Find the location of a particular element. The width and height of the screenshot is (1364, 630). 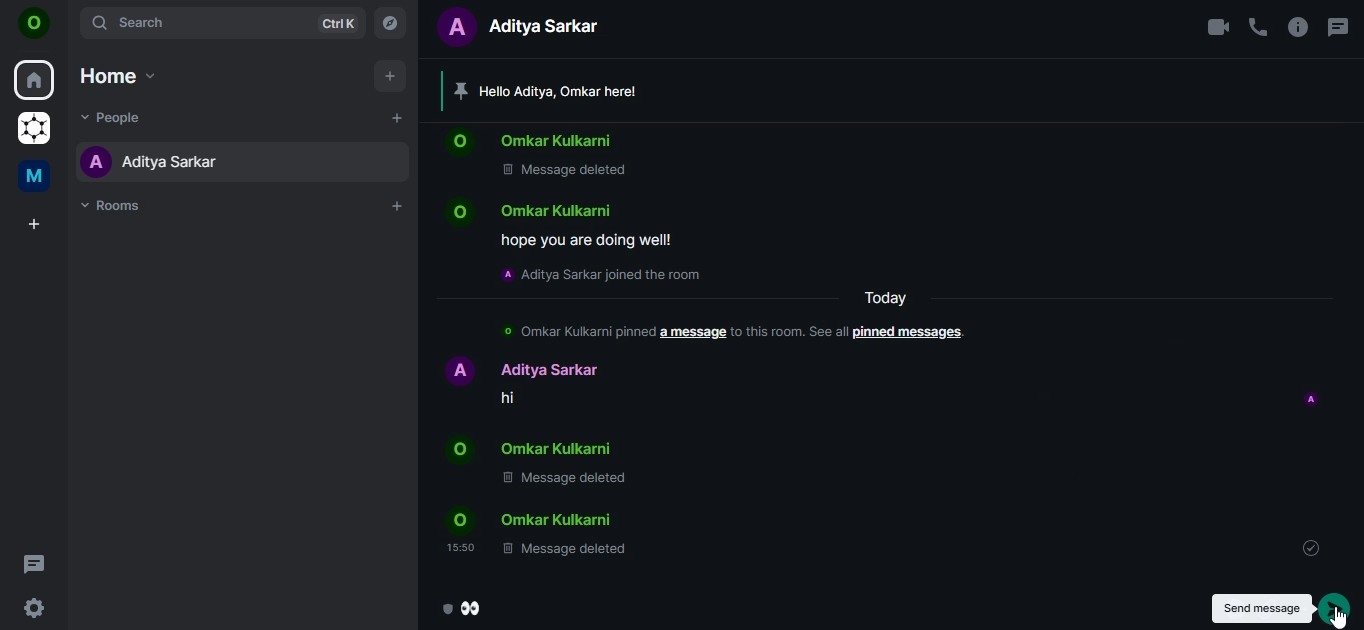

text is located at coordinates (706, 322).